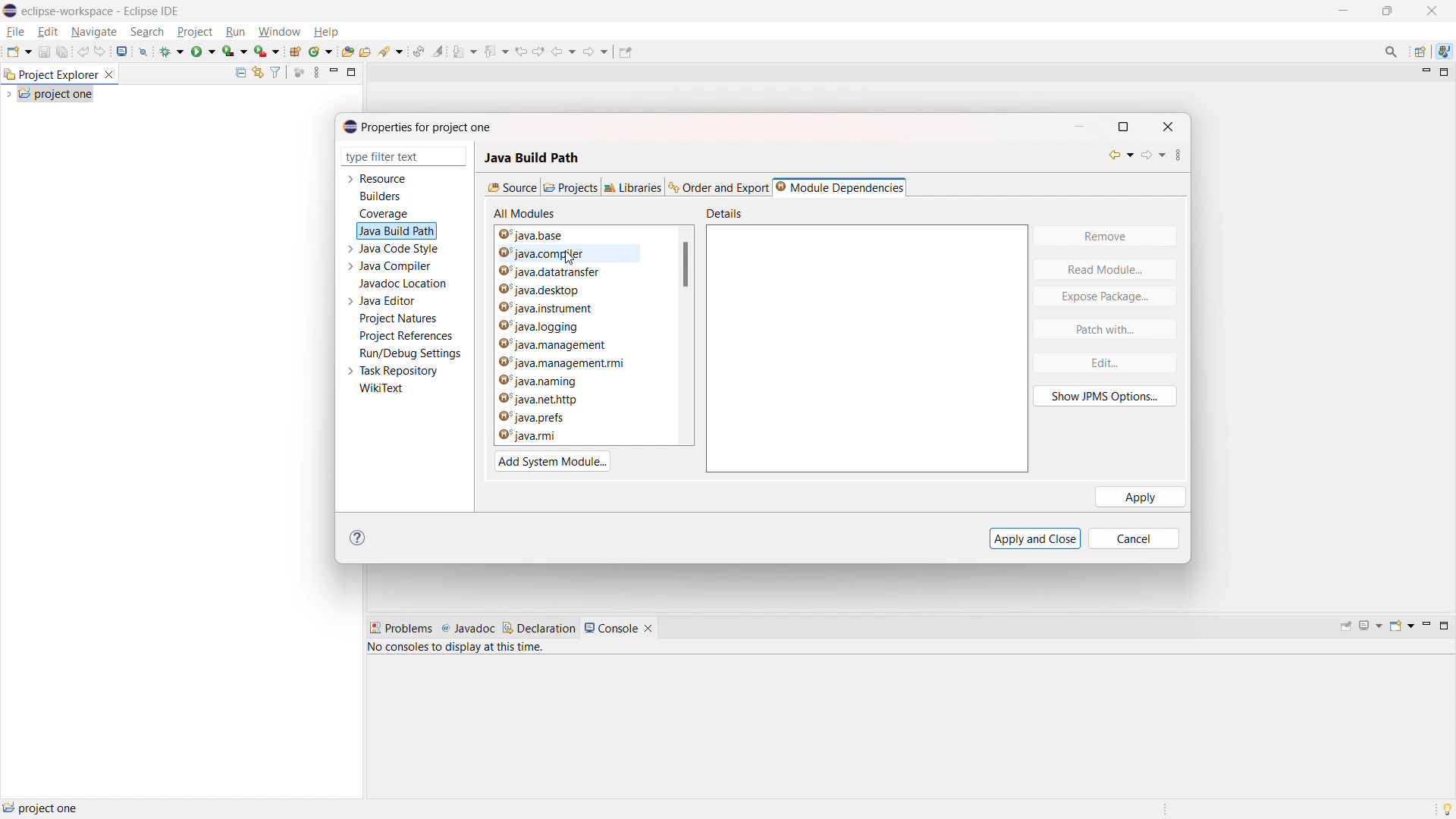 The height and width of the screenshot is (819, 1456). What do you see at coordinates (1169, 125) in the screenshot?
I see `close` at bounding box center [1169, 125].